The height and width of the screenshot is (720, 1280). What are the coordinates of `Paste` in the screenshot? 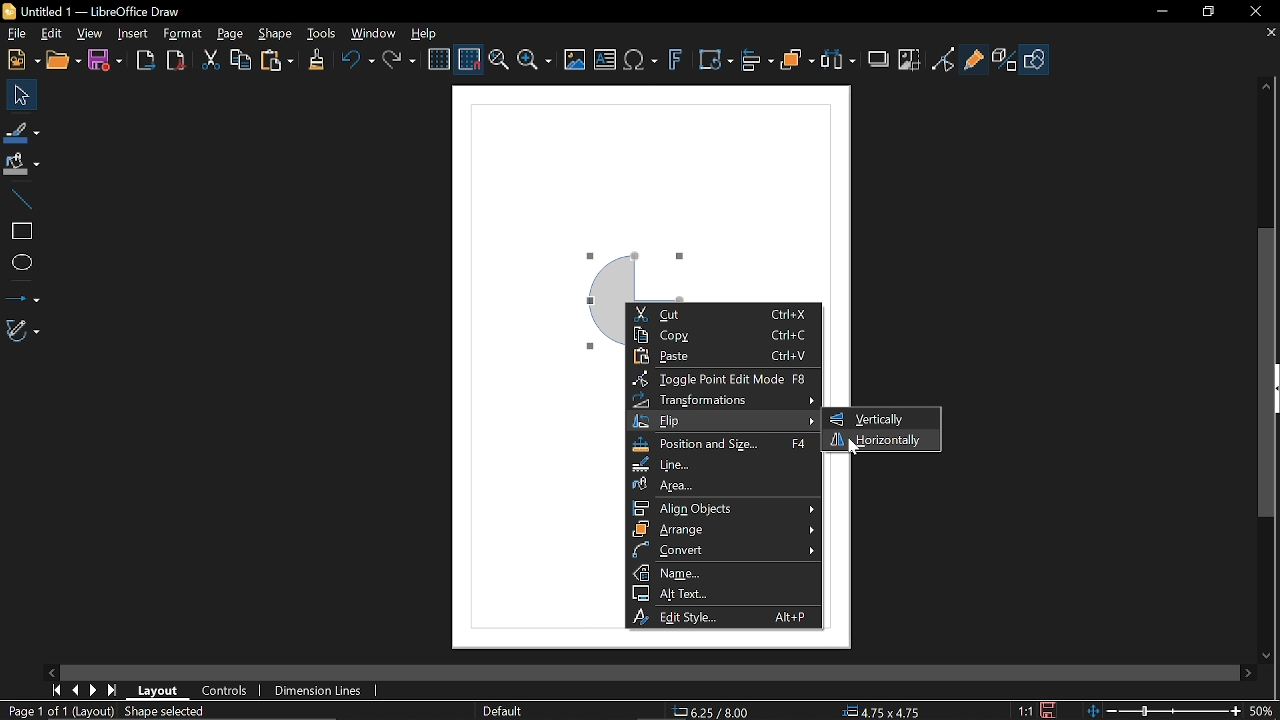 It's located at (277, 62).